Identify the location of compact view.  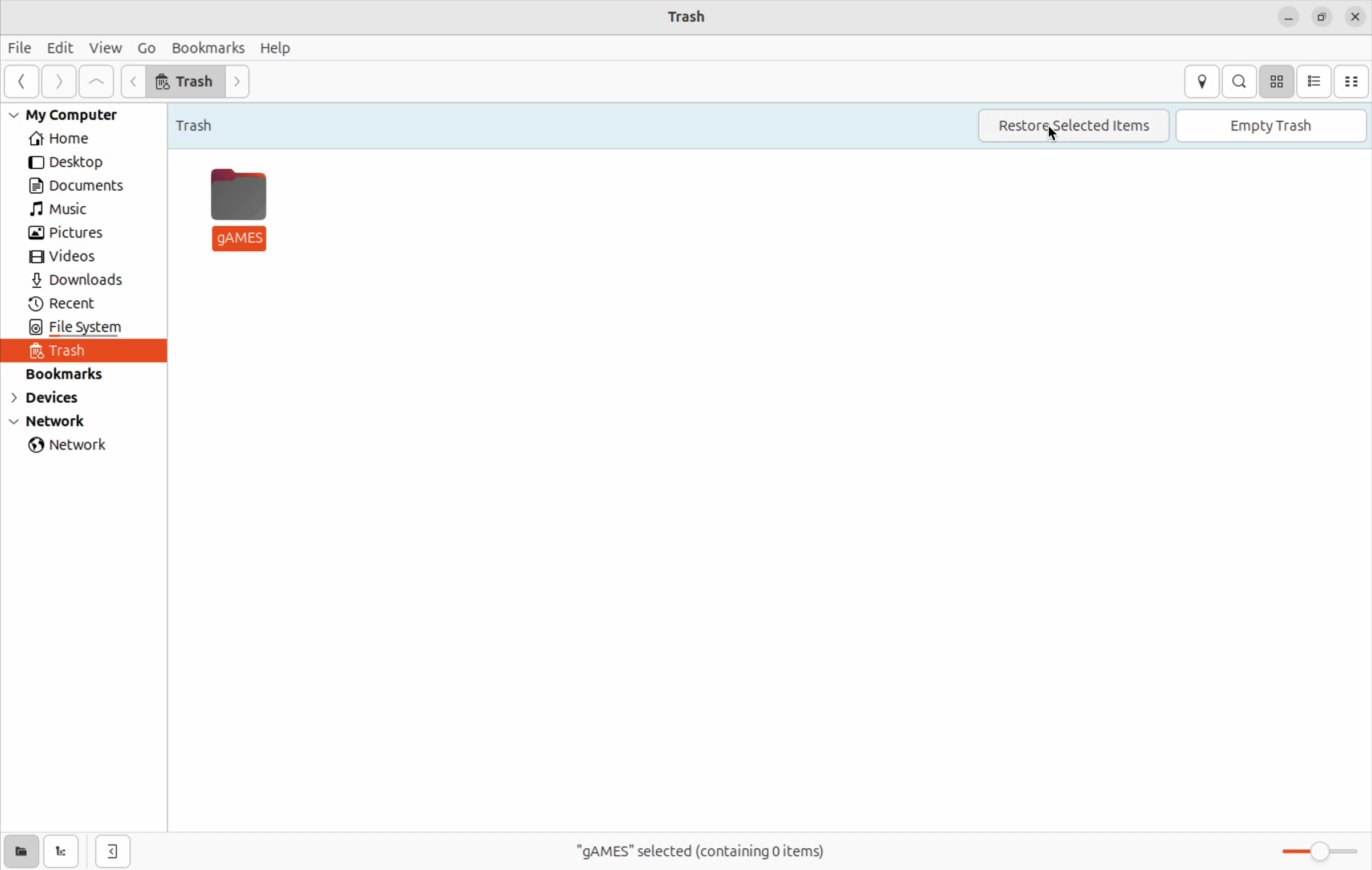
(1353, 81).